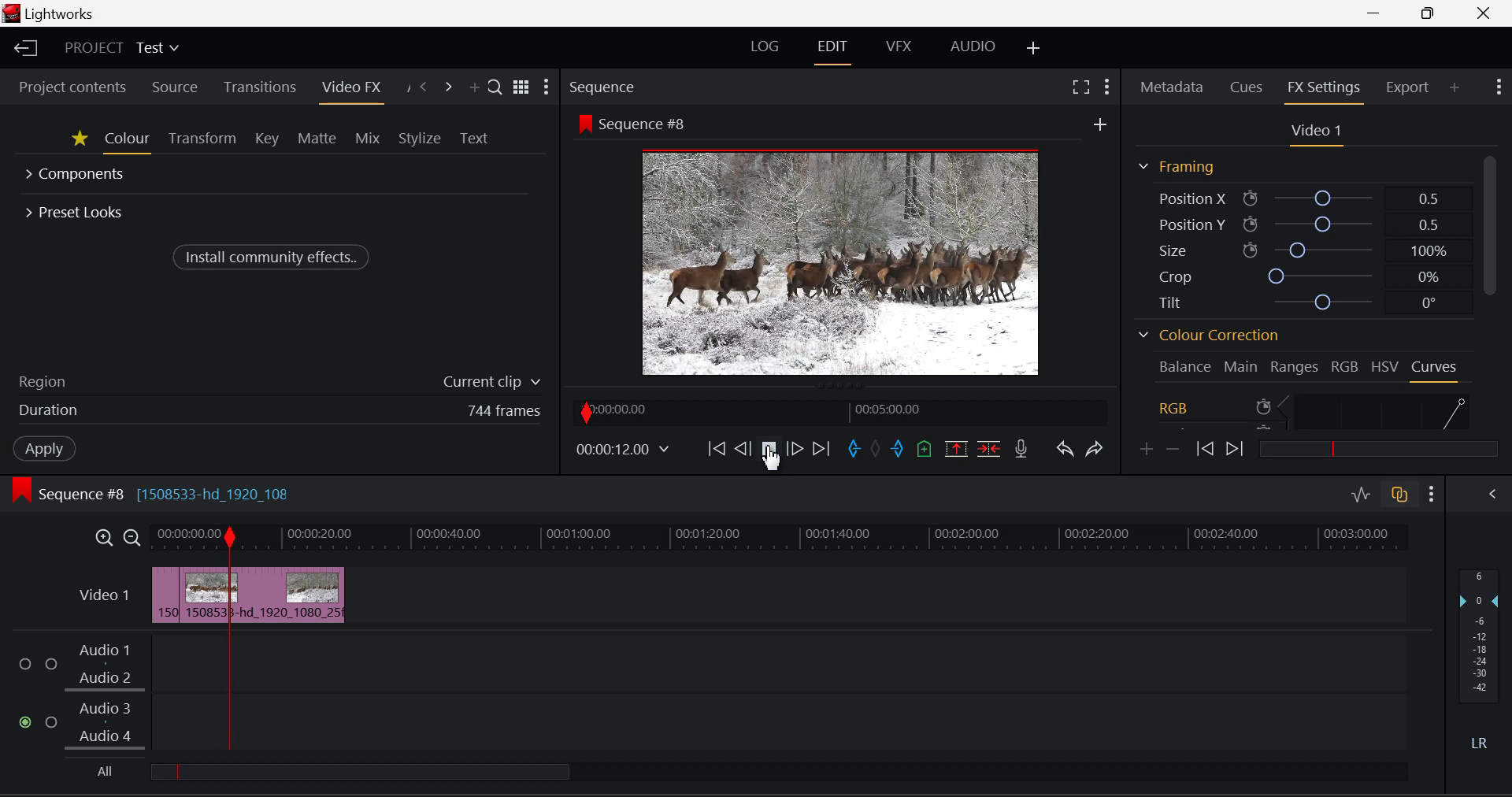  Describe the element at coordinates (128, 141) in the screenshot. I see `Colour` at that location.